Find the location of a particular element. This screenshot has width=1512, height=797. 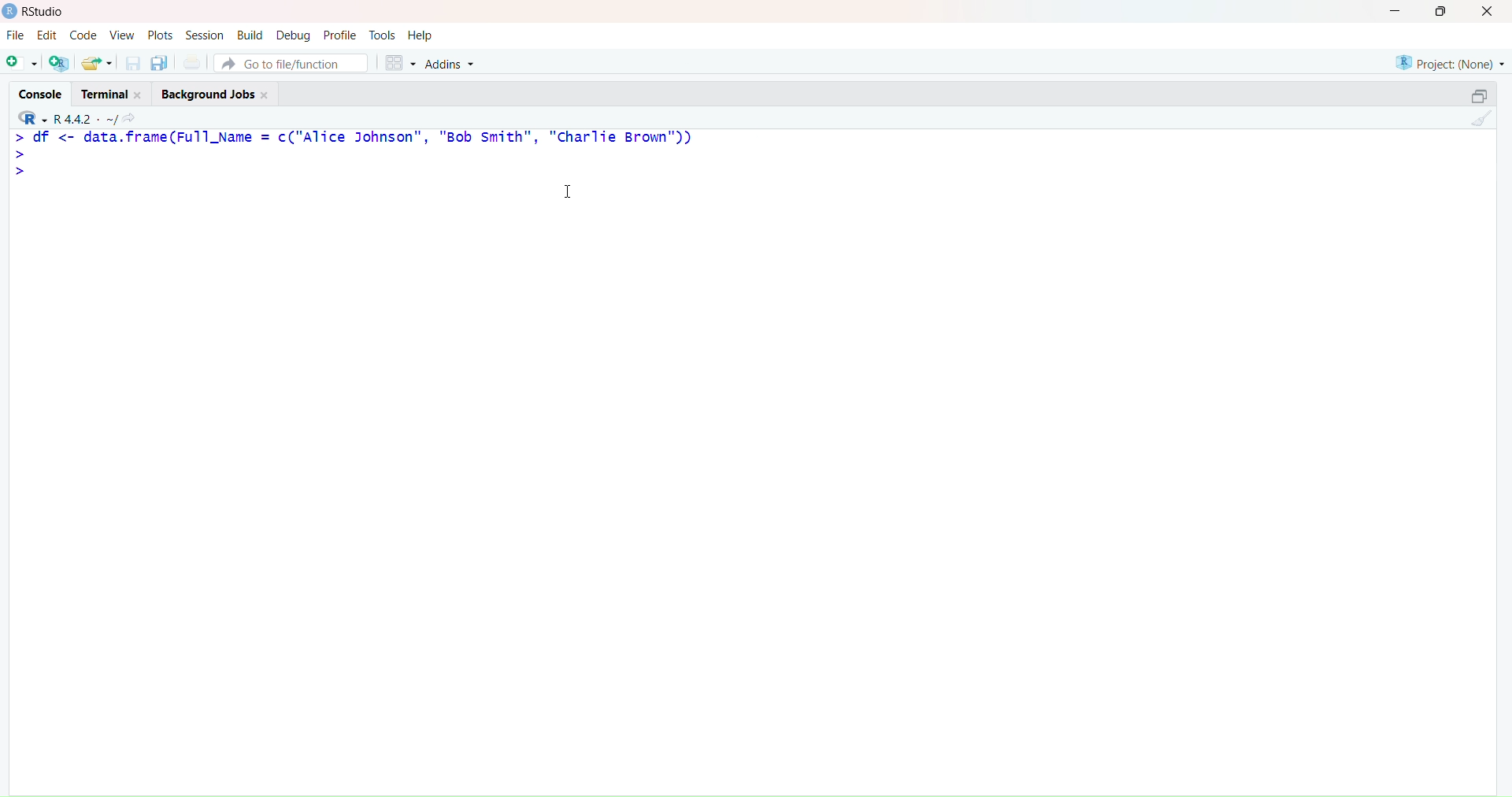

Save all open documents (Ctrl + Alt + S) is located at coordinates (159, 63).